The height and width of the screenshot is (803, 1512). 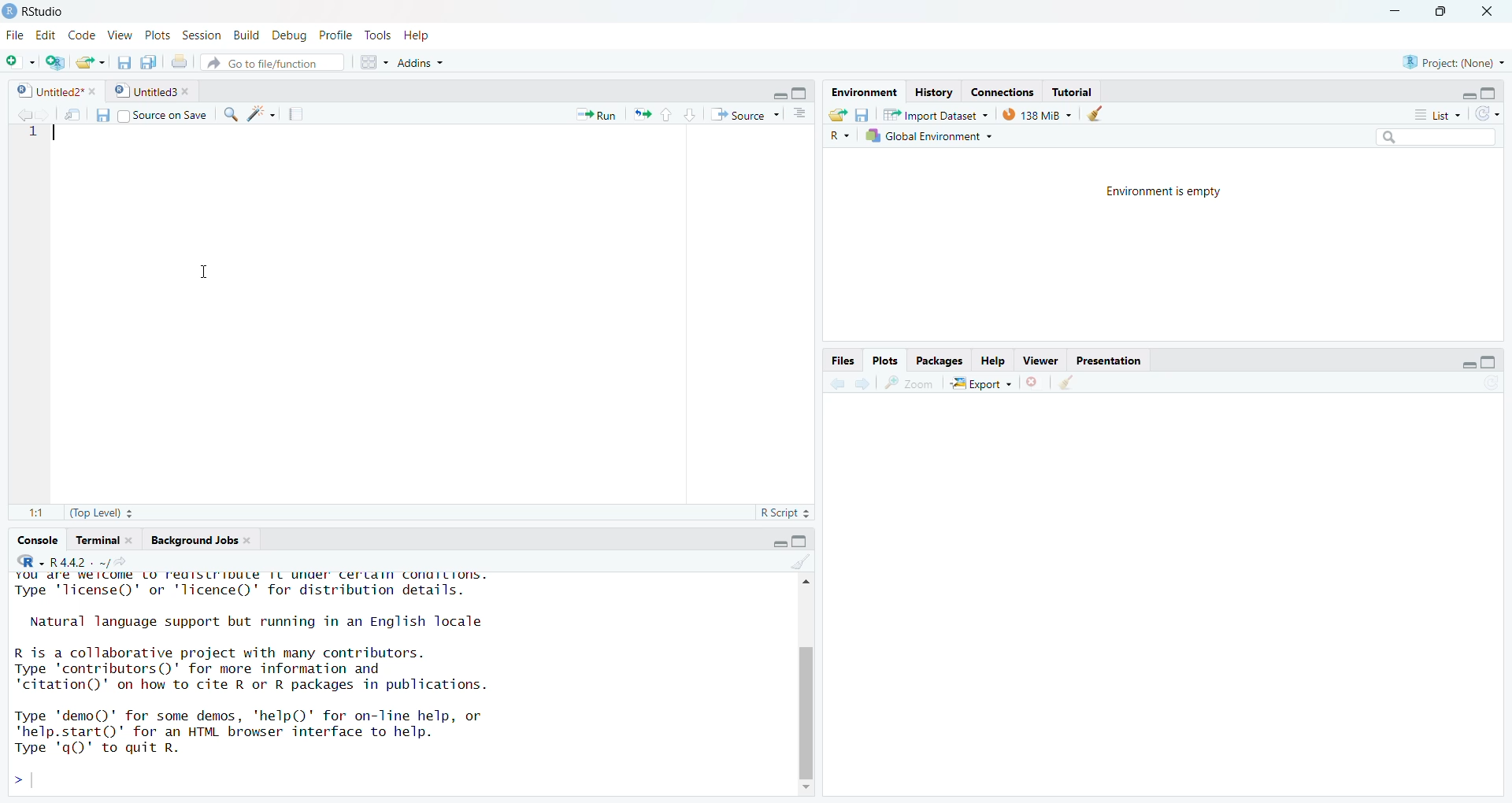 What do you see at coordinates (1475, 90) in the screenshot?
I see `maximize/minimize` at bounding box center [1475, 90].